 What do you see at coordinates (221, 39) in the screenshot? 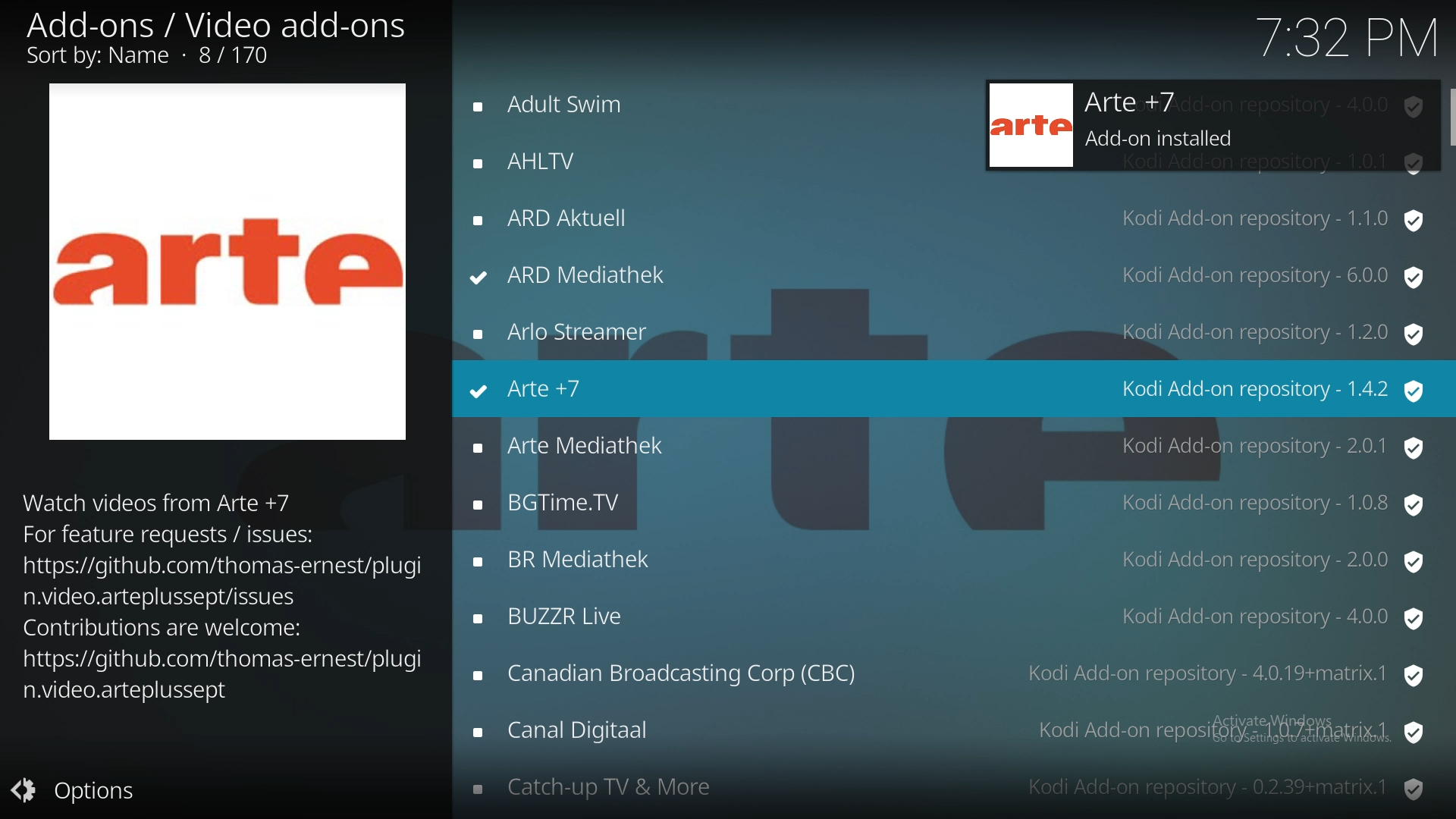
I see `video add ons` at bounding box center [221, 39].